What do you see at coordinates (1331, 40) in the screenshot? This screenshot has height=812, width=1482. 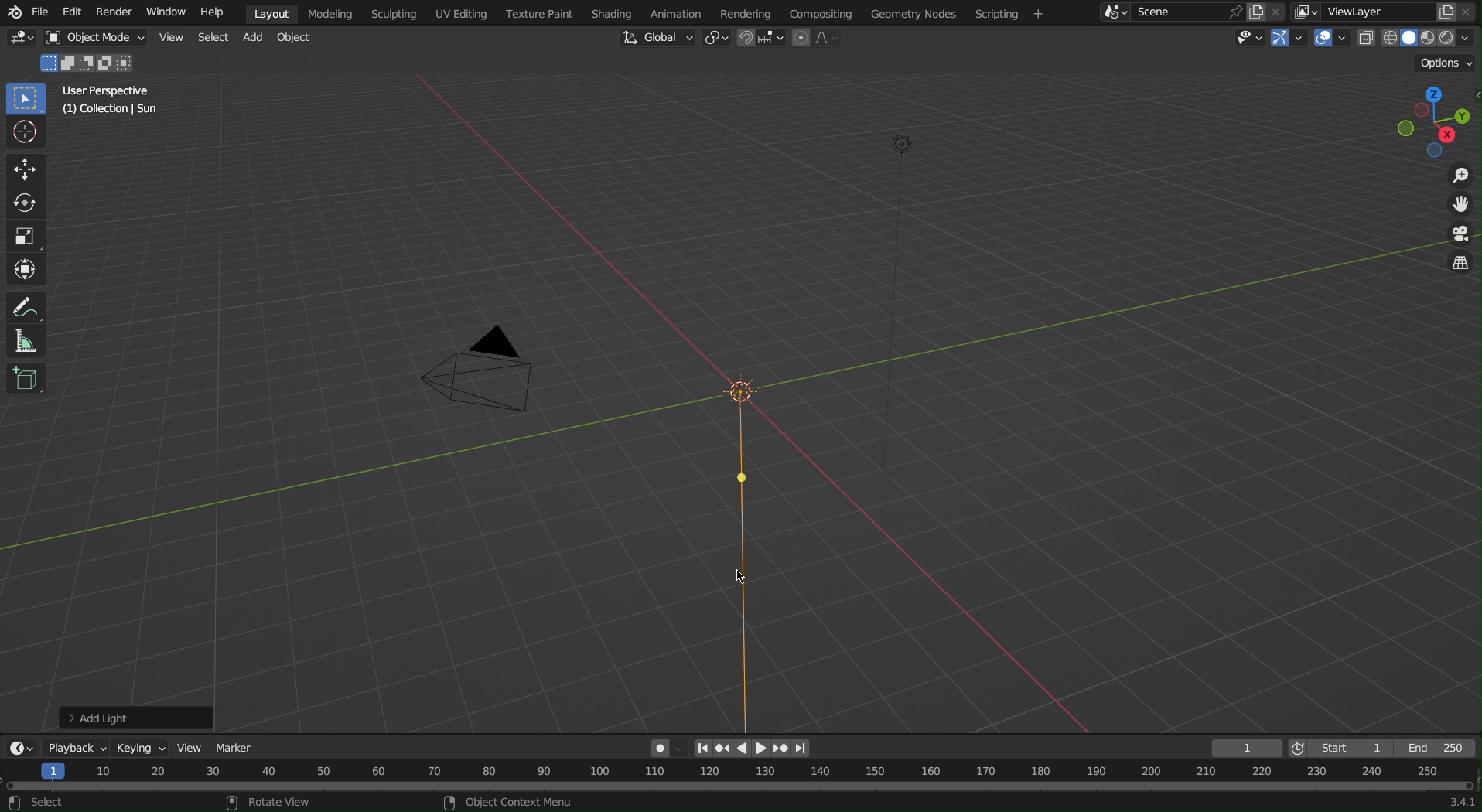 I see `Show Overlays` at bounding box center [1331, 40].